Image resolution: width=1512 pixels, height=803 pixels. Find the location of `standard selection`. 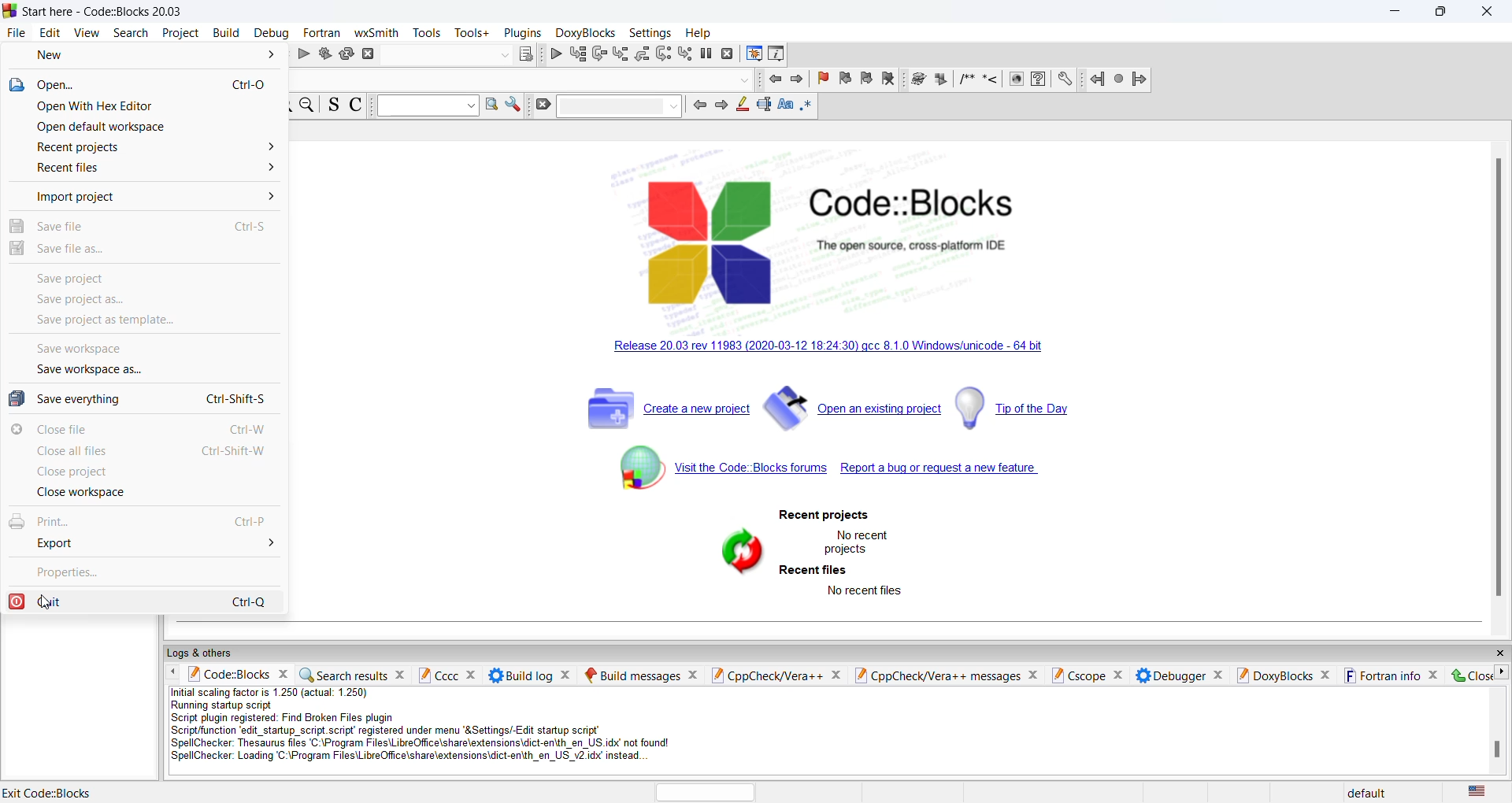

standard selection is located at coordinates (762, 107).